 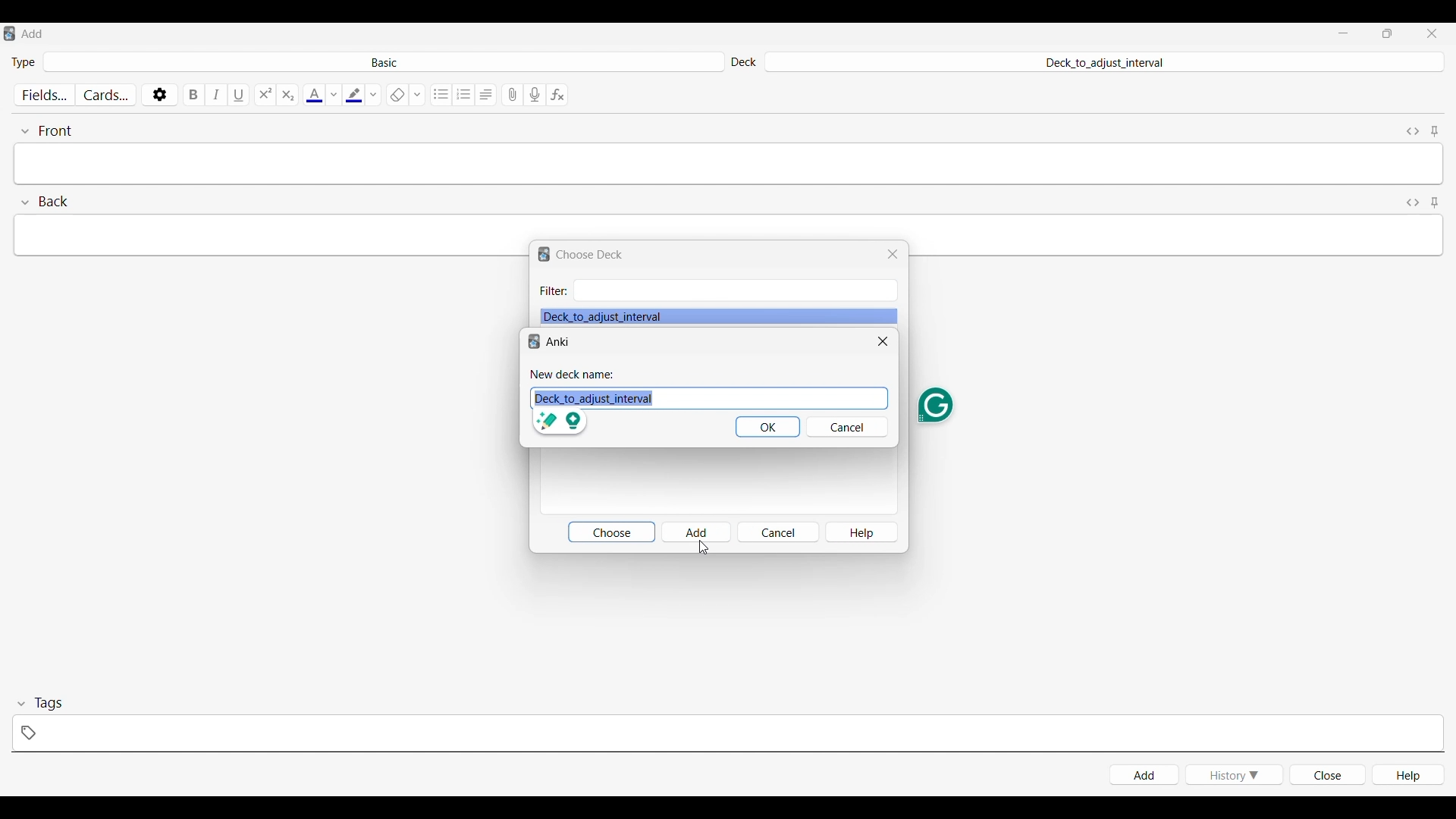 What do you see at coordinates (892, 254) in the screenshot?
I see `Close window` at bounding box center [892, 254].